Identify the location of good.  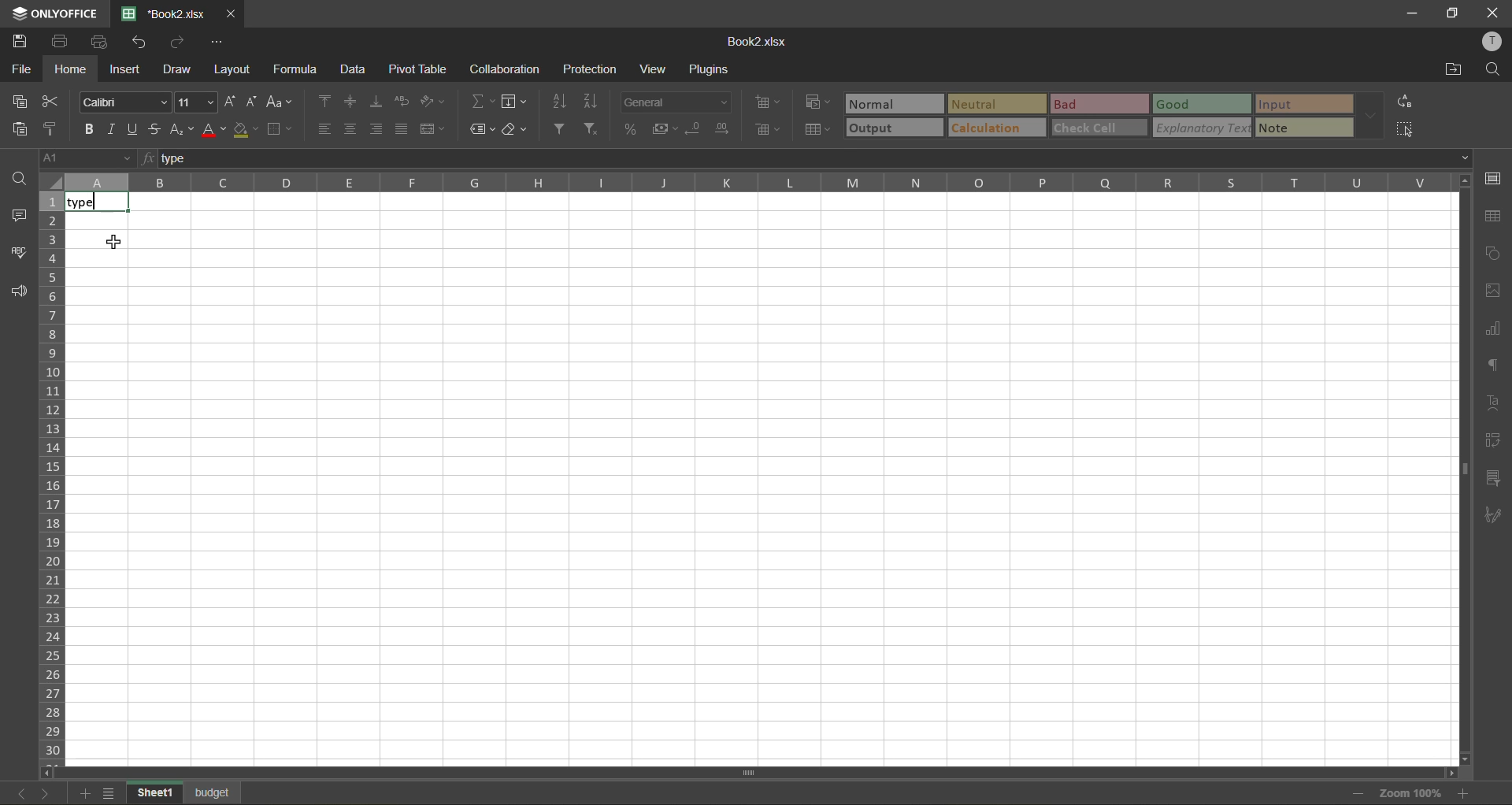
(1199, 103).